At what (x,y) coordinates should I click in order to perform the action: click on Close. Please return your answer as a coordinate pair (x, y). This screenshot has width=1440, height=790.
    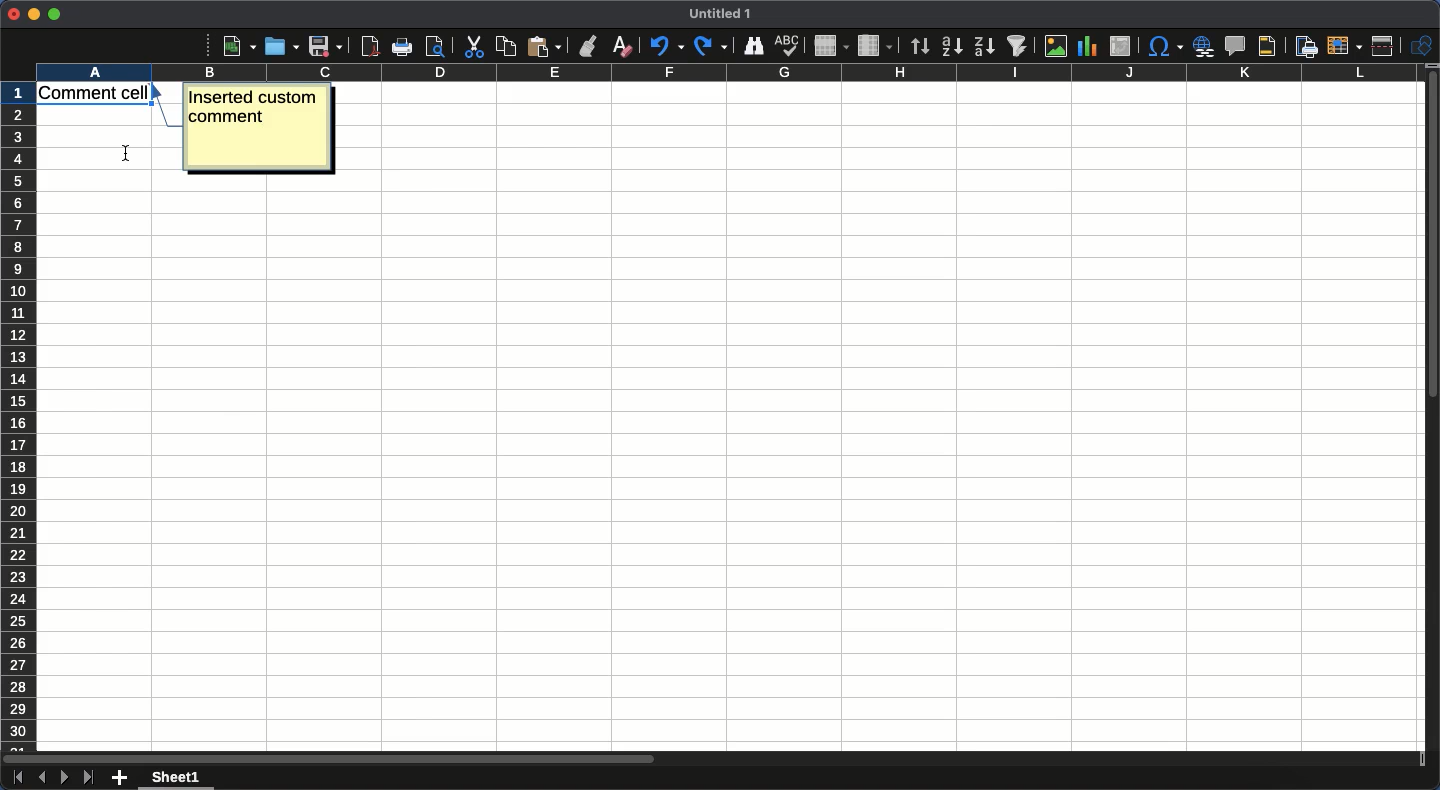
    Looking at the image, I should click on (10, 12).